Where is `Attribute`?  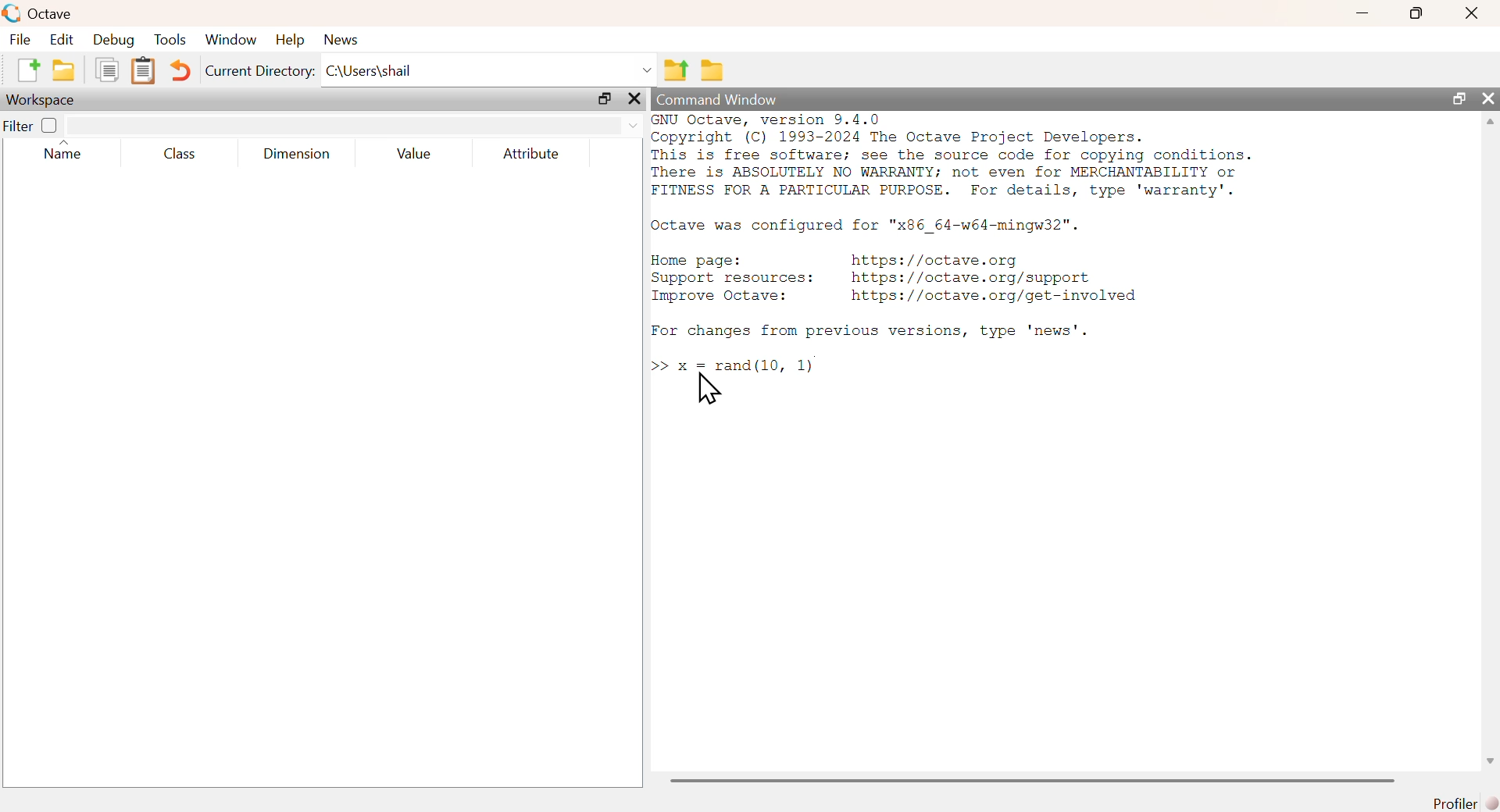 Attribute is located at coordinates (533, 155).